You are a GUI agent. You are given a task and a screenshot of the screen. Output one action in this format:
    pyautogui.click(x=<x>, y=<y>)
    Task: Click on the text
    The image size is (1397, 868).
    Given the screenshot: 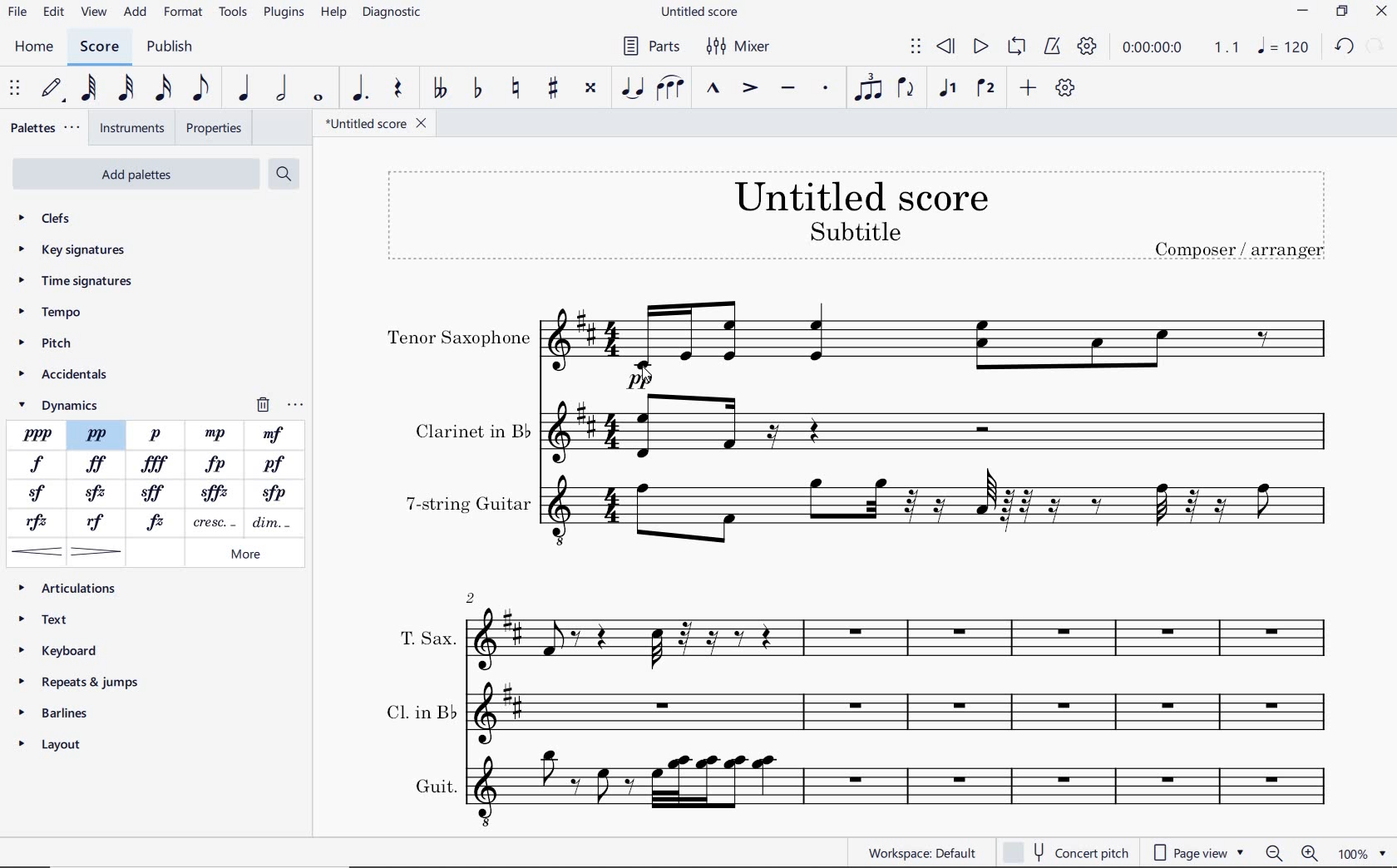 What is the action you would take?
    pyautogui.click(x=861, y=195)
    